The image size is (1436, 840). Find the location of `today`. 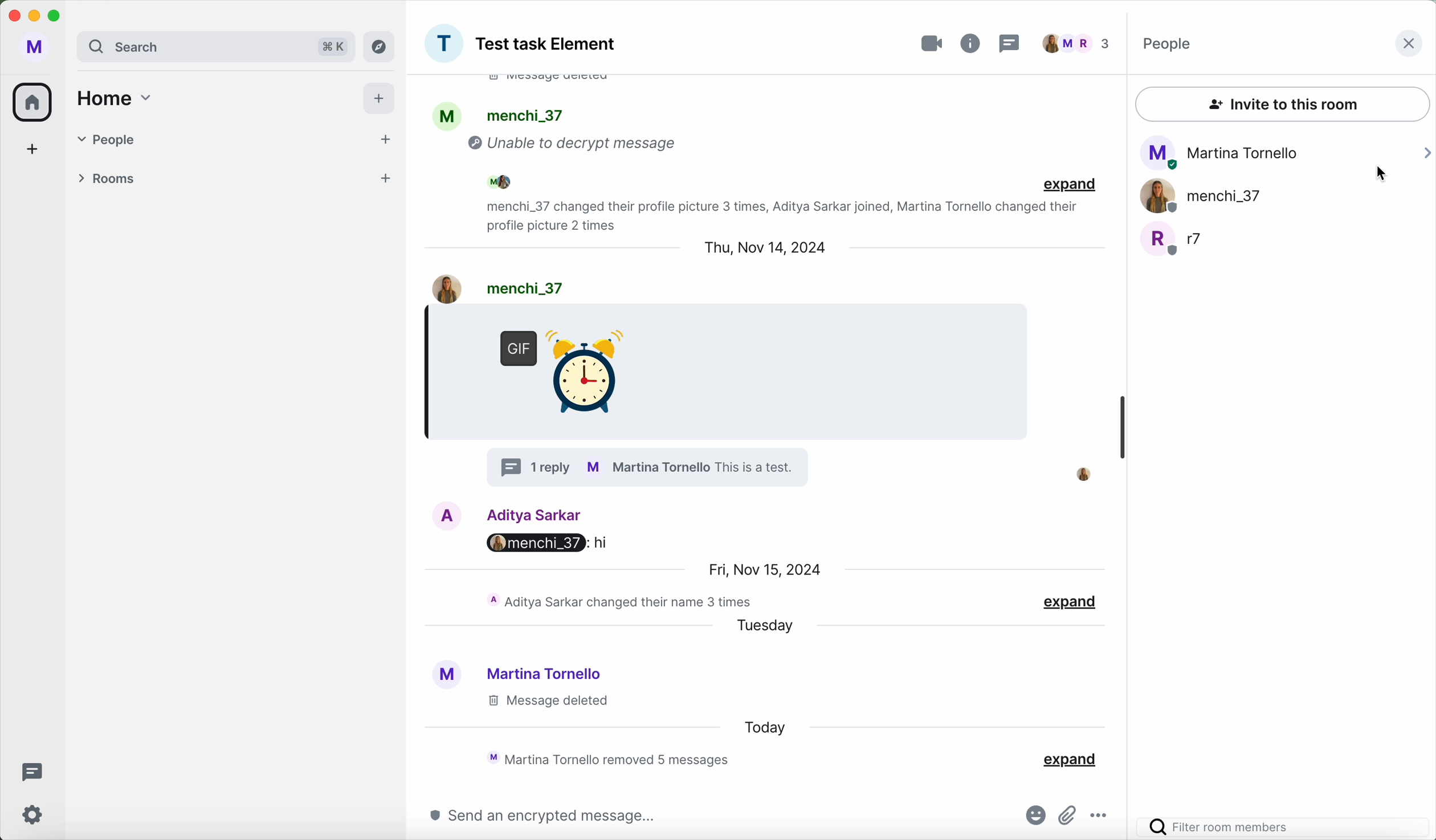

today is located at coordinates (764, 727).